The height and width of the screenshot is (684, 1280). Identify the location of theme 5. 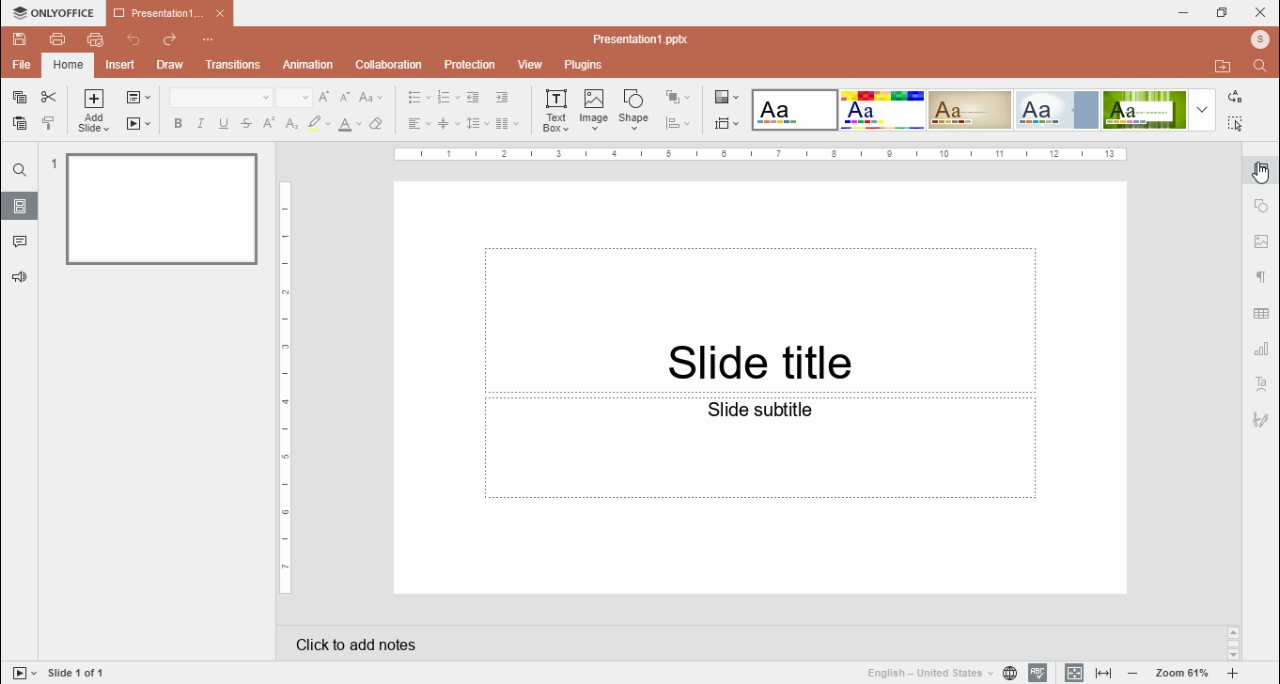
(1145, 111).